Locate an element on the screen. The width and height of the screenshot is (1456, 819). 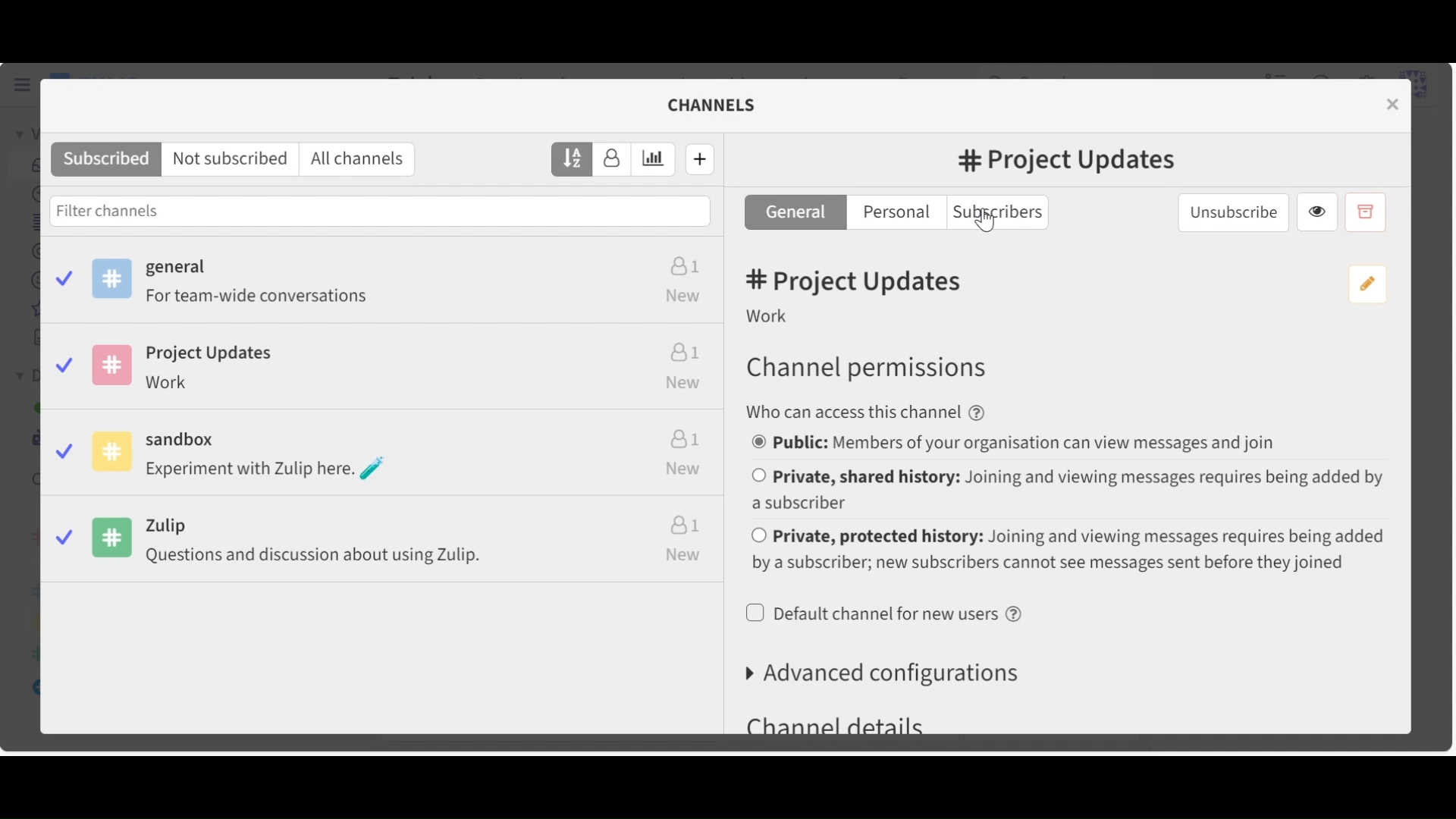
Filter channels is located at coordinates (377, 211).